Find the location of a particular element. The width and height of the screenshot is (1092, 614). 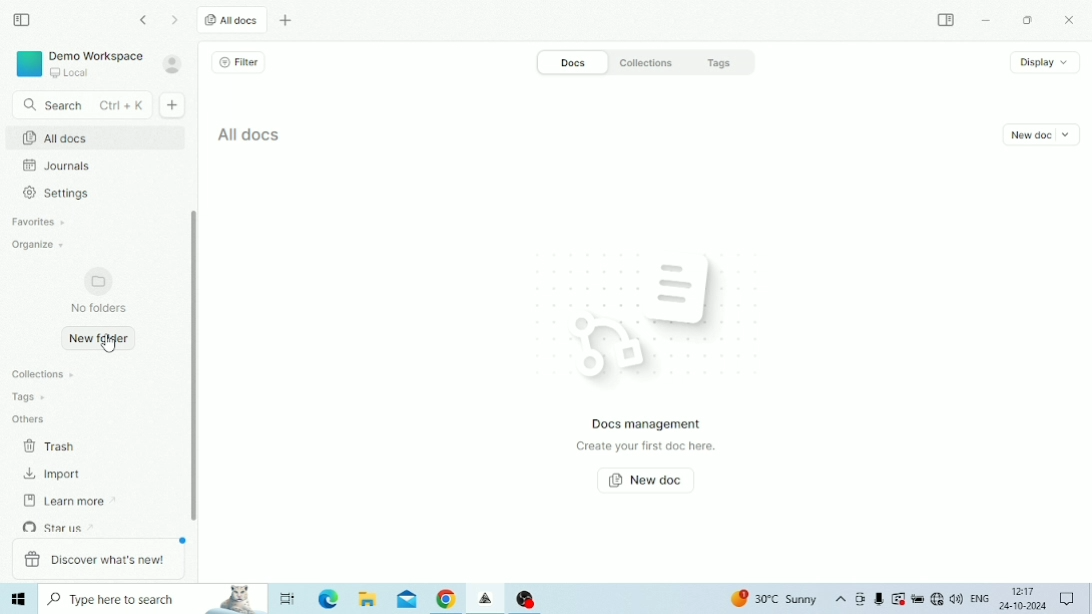

Warning is located at coordinates (898, 598).